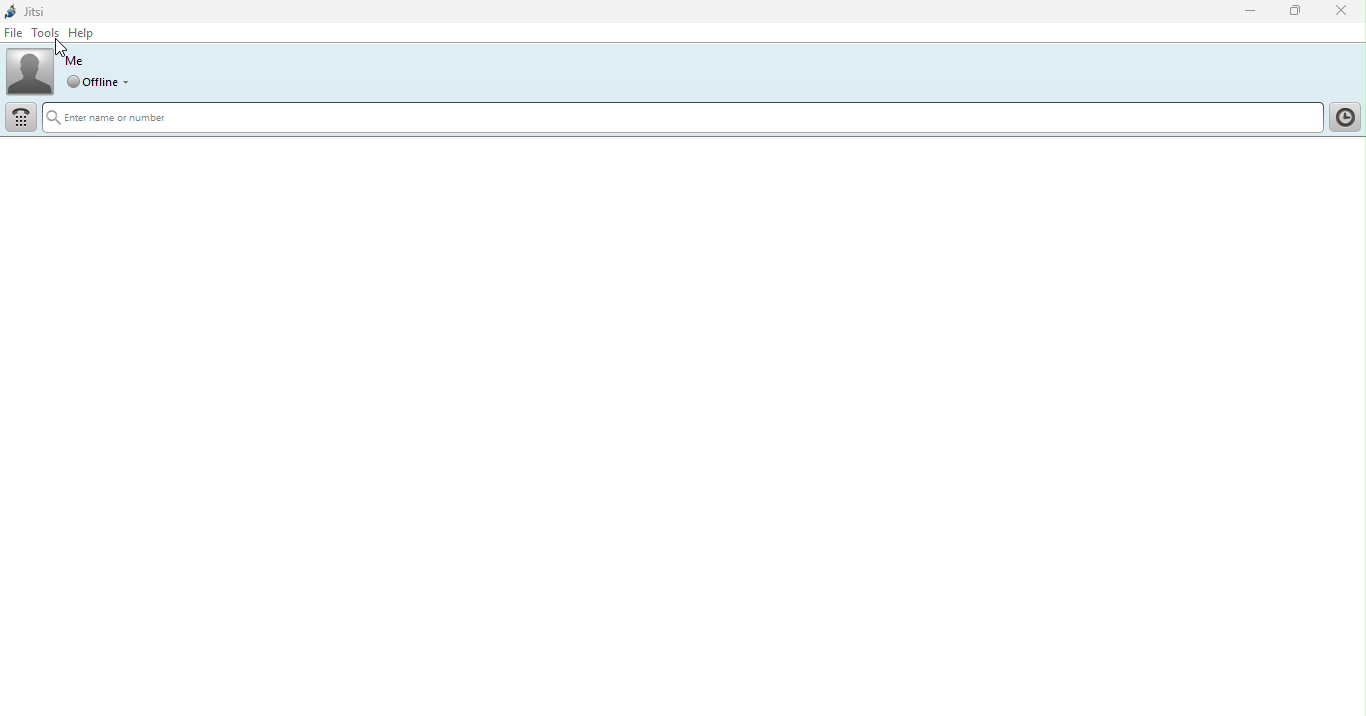 This screenshot has width=1366, height=716. Describe the element at coordinates (1340, 12) in the screenshot. I see `Close` at that location.